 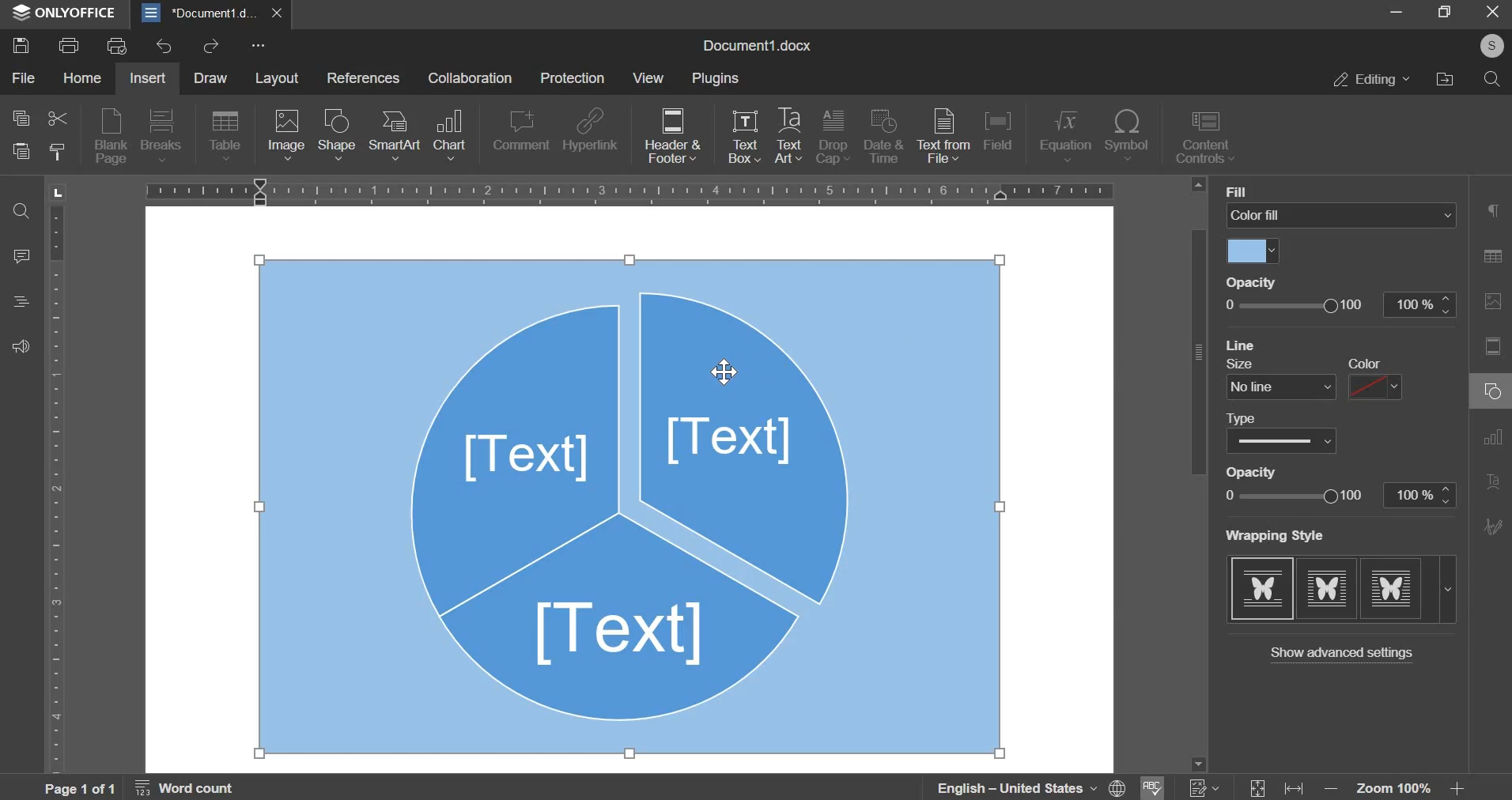 I want to click on line opacity, so click(x=1338, y=494).